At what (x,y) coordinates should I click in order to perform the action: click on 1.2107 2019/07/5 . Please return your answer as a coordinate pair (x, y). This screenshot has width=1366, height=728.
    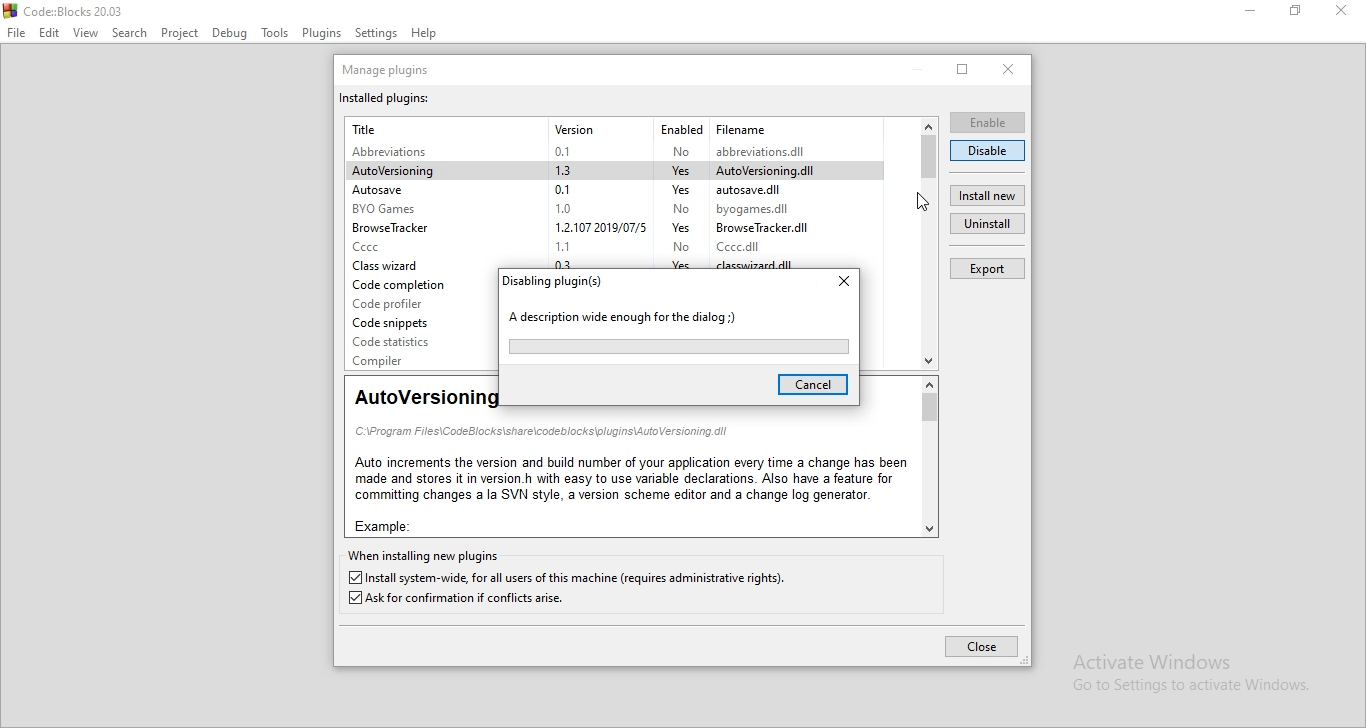
    Looking at the image, I should click on (595, 227).